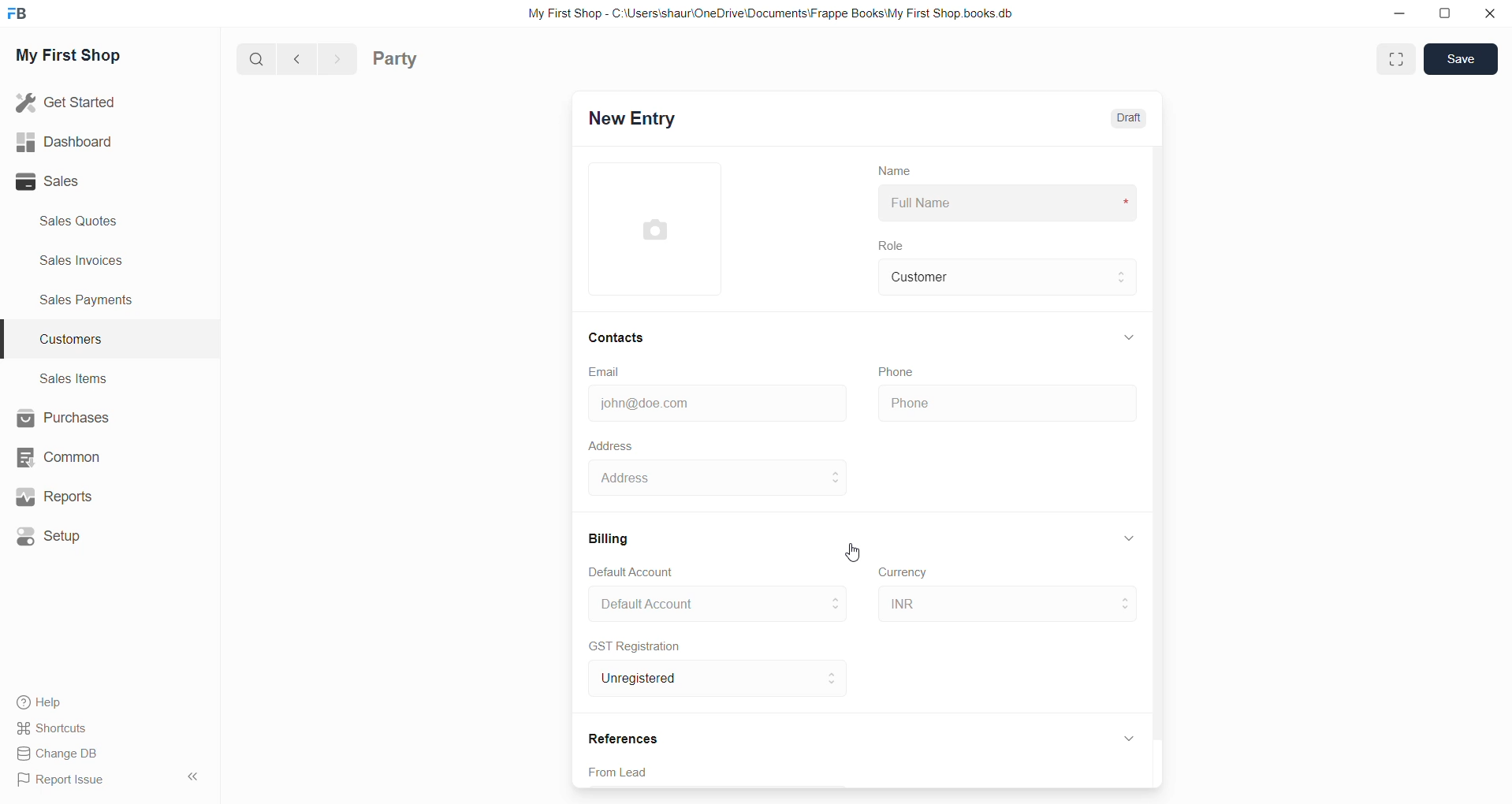 The width and height of the screenshot is (1512, 804). I want to click on go back, so click(298, 60).